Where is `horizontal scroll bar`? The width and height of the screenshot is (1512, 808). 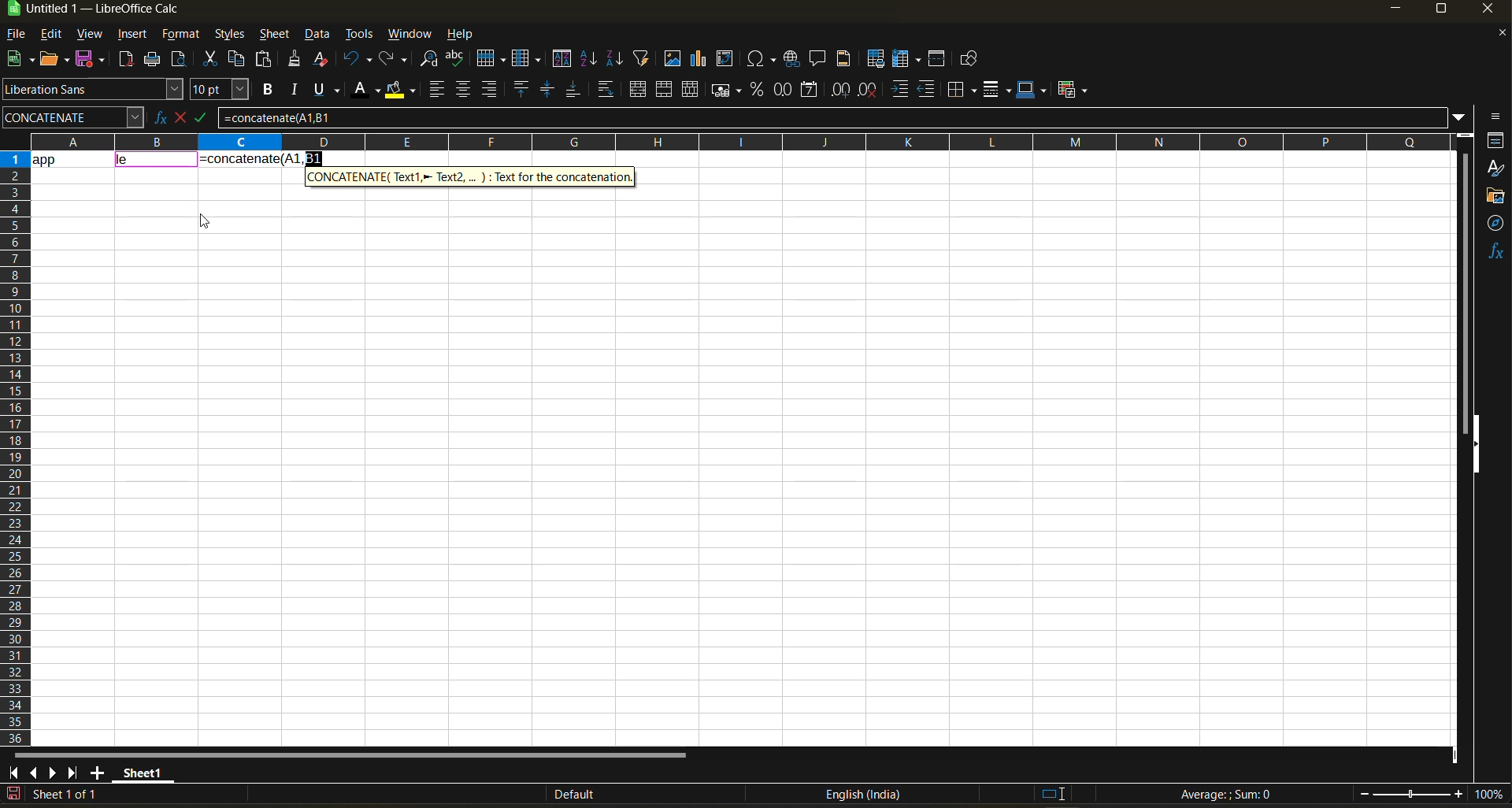 horizontal scroll bar is located at coordinates (349, 755).